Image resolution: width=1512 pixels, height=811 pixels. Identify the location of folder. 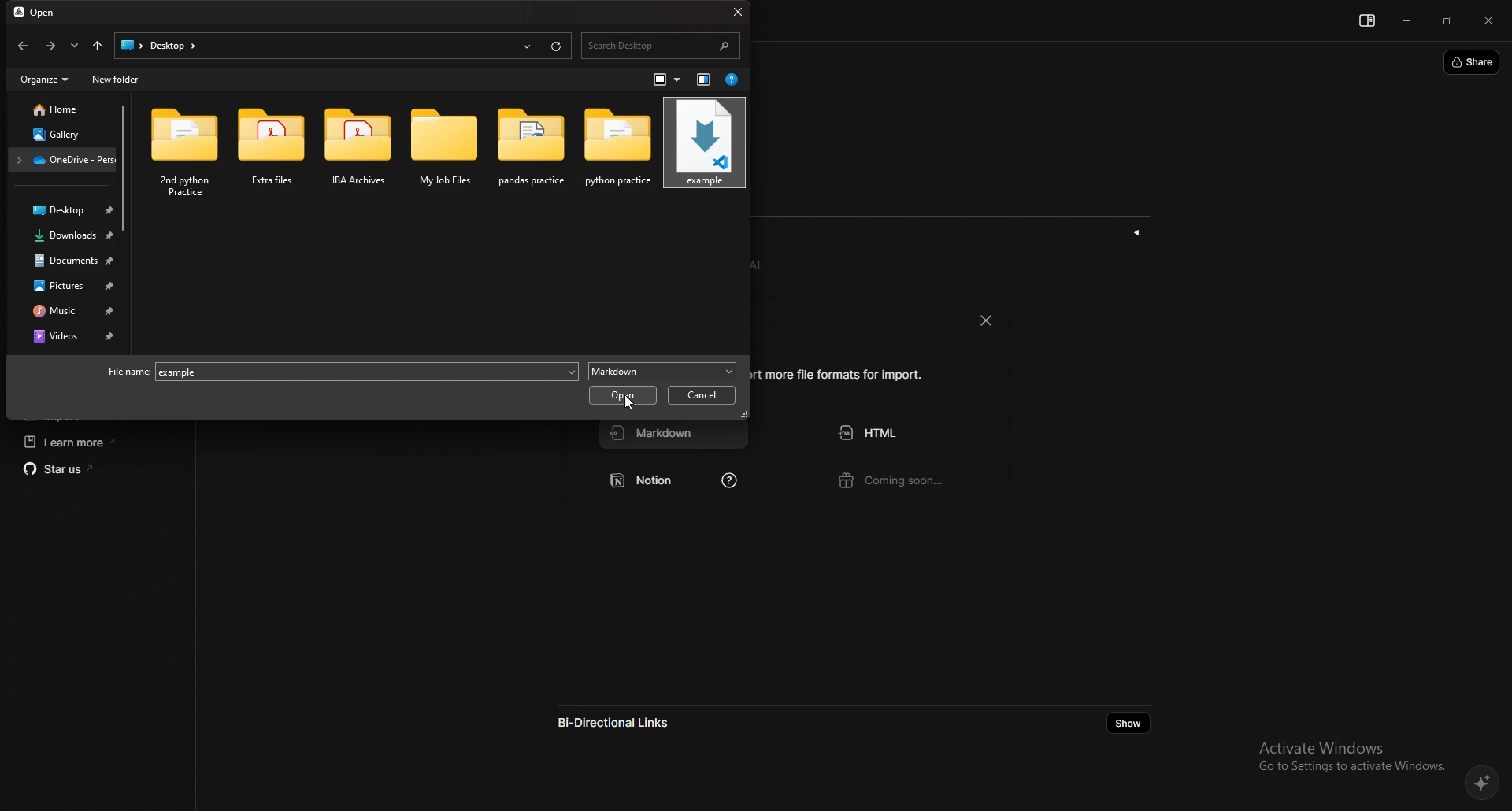
(185, 152).